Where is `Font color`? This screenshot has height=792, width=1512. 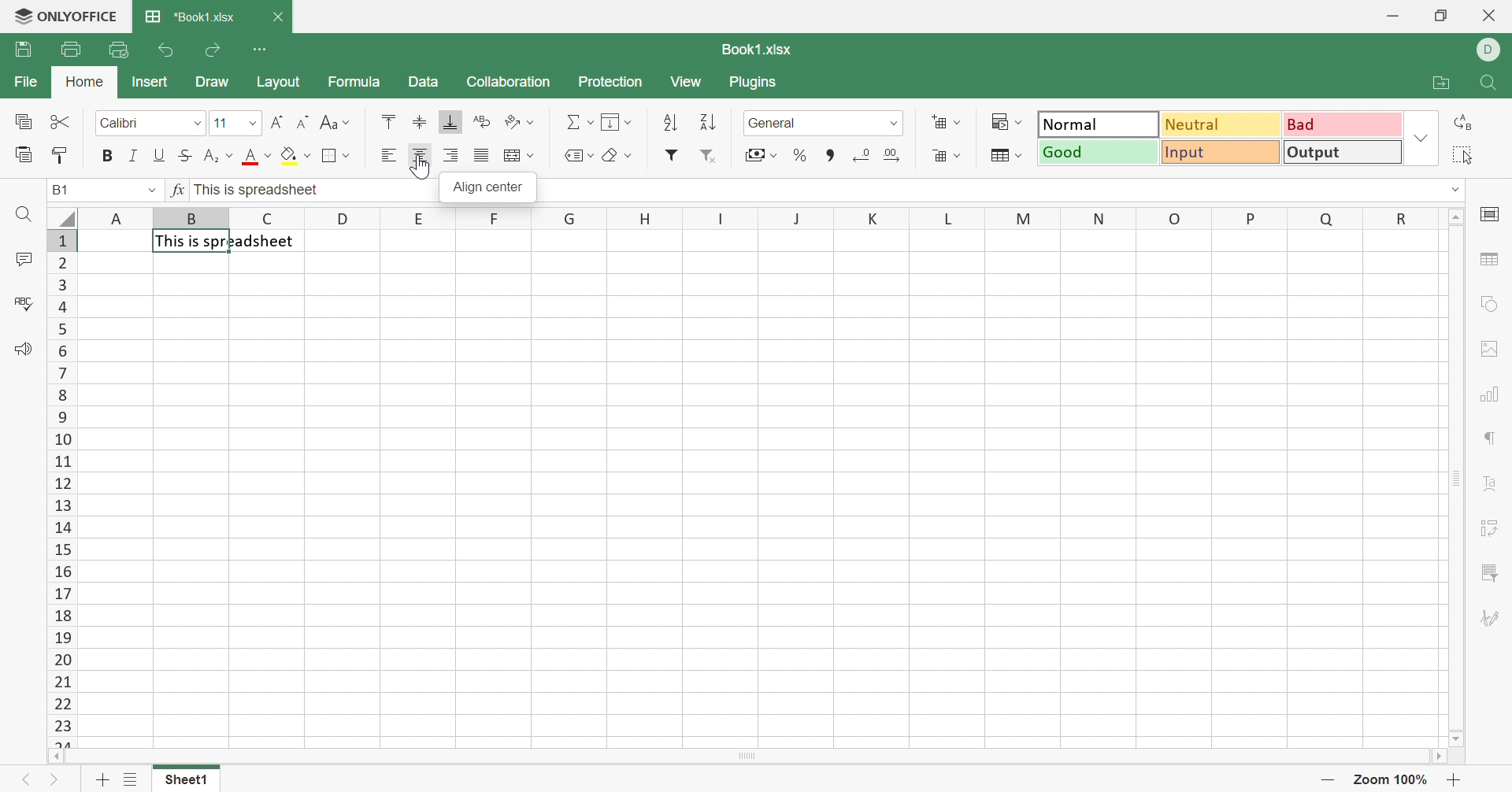
Font color is located at coordinates (249, 156).